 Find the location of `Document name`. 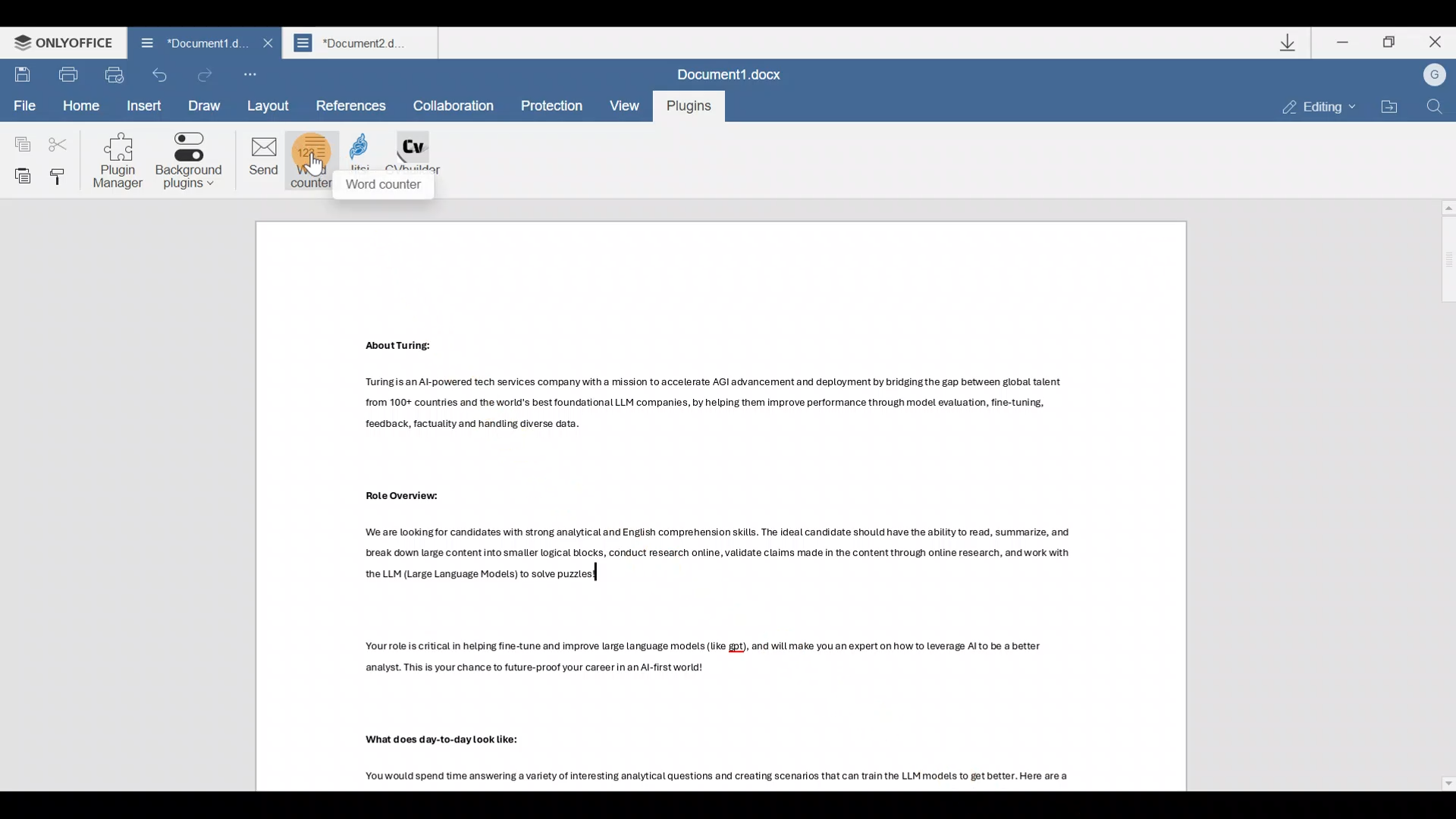

Document name is located at coordinates (195, 42).